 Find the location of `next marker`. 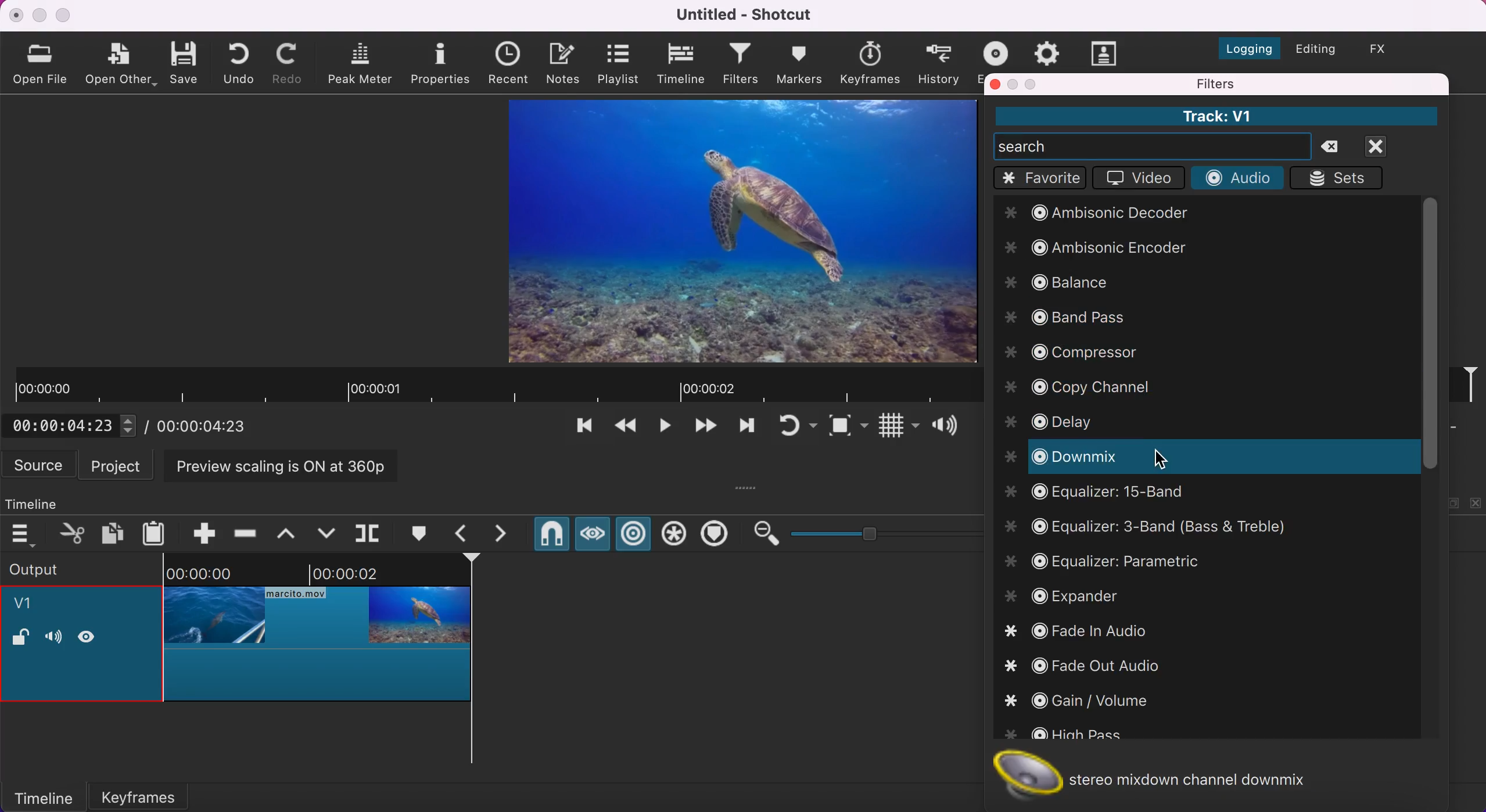

next marker is located at coordinates (508, 534).